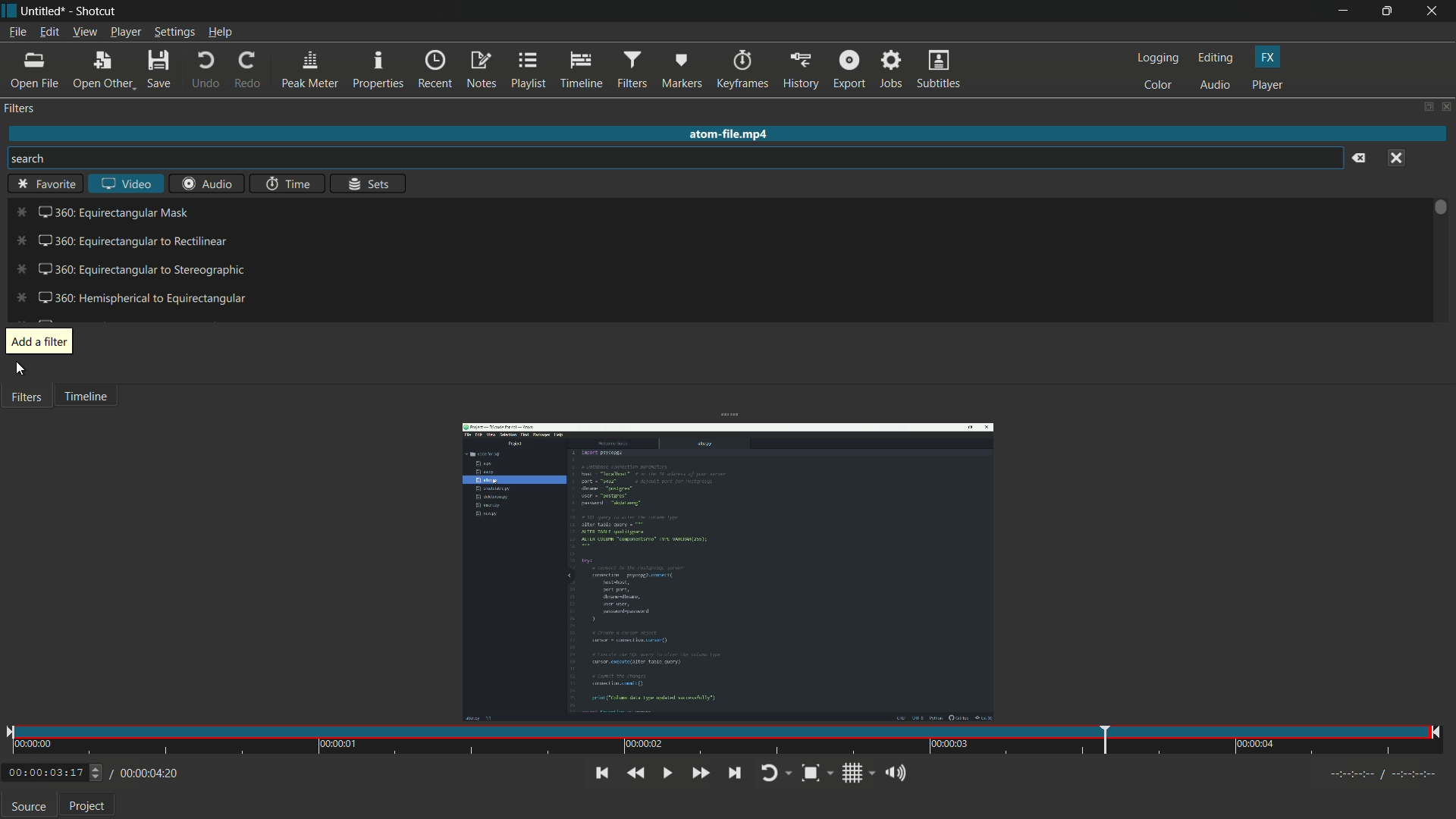 The image size is (1456, 819). Describe the element at coordinates (1423, 105) in the screenshot. I see `change layout` at that location.